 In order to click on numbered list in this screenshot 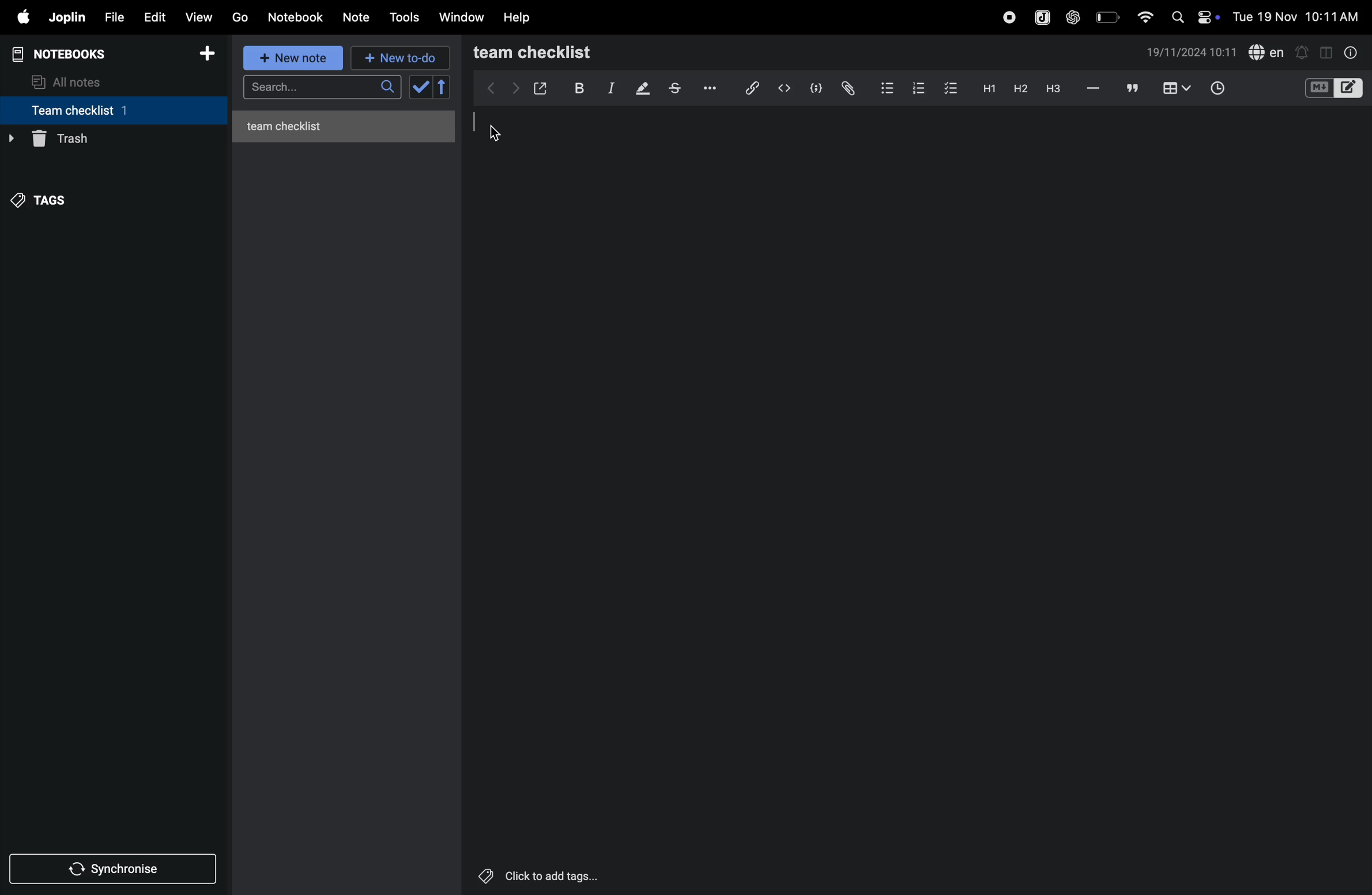, I will do `click(916, 87)`.